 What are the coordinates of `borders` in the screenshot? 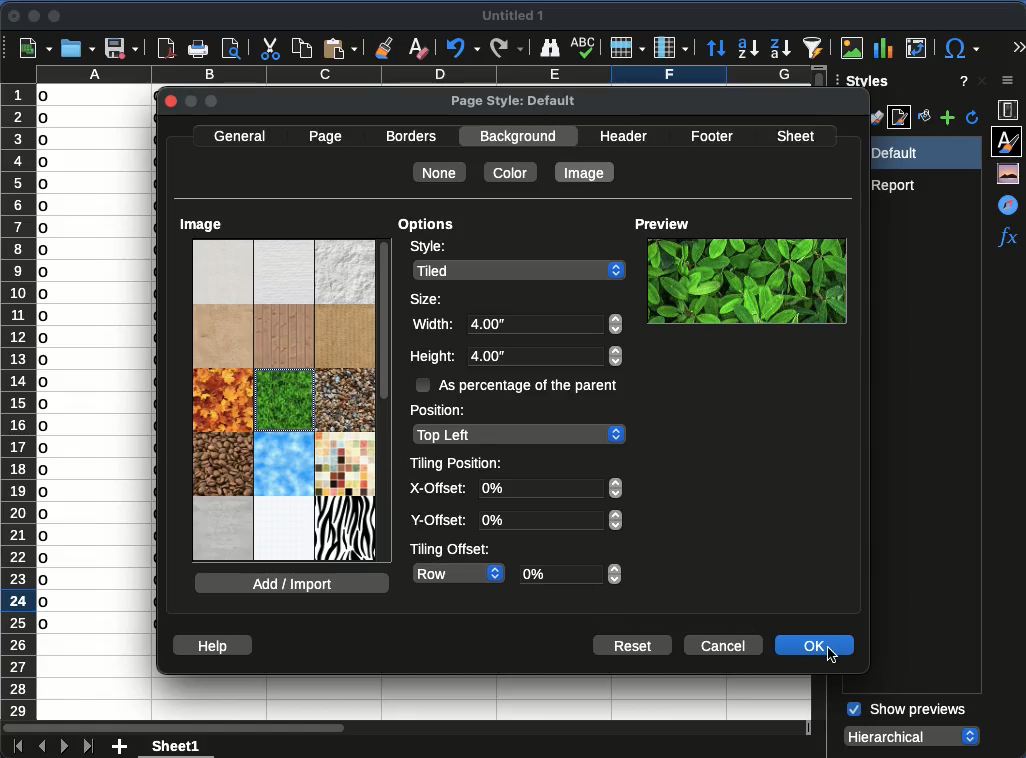 It's located at (414, 137).